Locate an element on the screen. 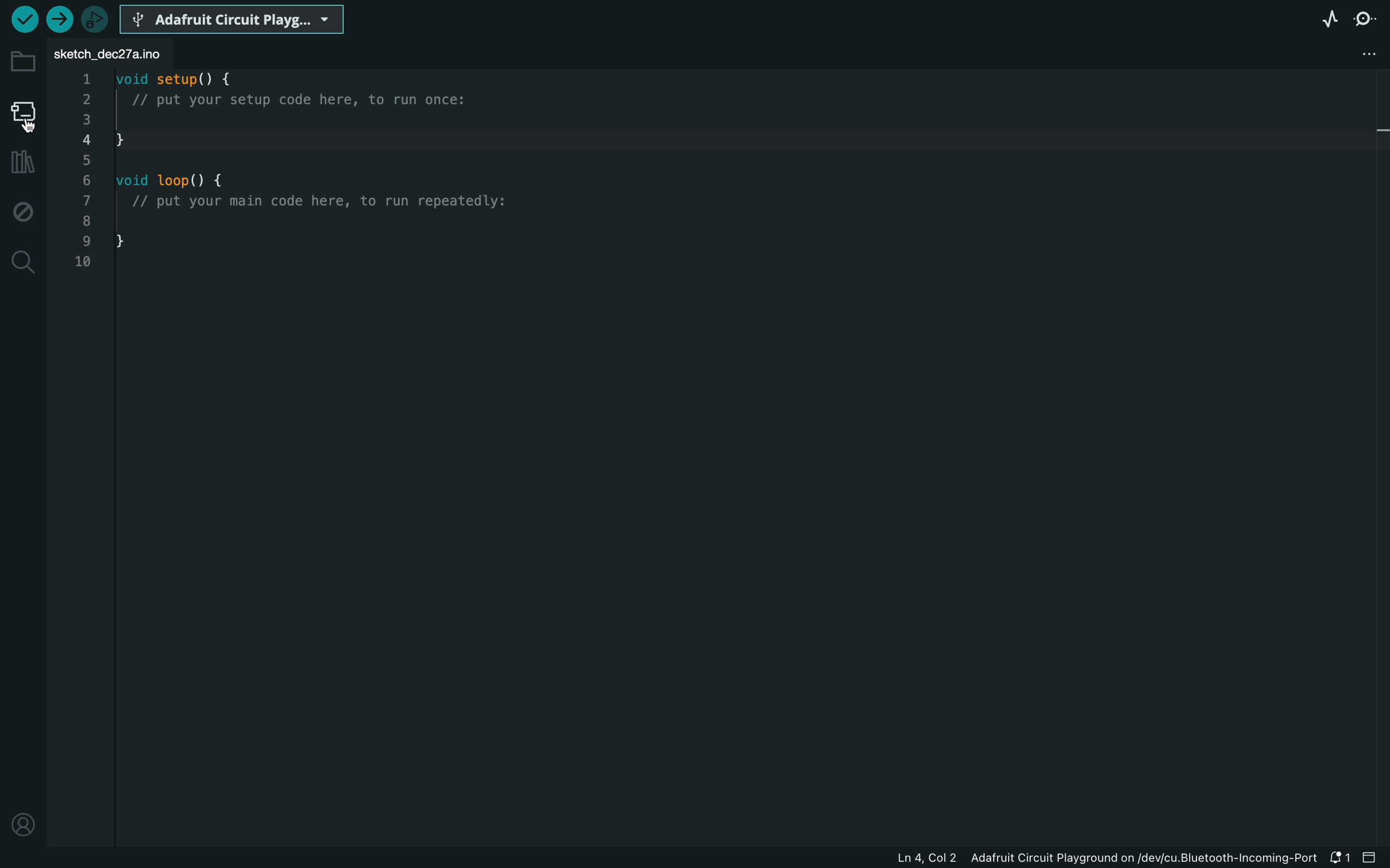 The width and height of the screenshot is (1390, 868). notification is located at coordinates (1340, 859).